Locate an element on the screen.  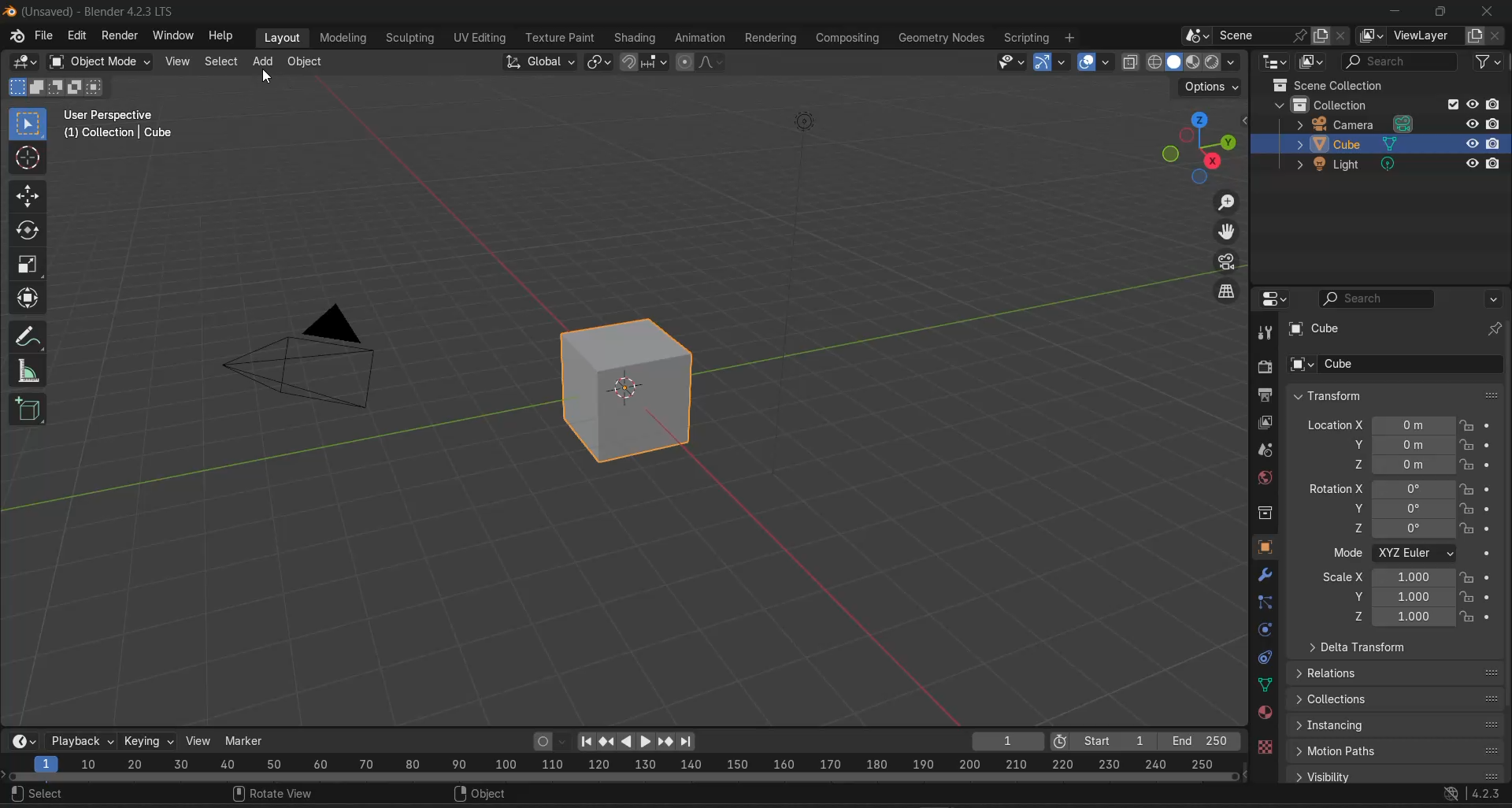
geometry nodes is located at coordinates (942, 35).